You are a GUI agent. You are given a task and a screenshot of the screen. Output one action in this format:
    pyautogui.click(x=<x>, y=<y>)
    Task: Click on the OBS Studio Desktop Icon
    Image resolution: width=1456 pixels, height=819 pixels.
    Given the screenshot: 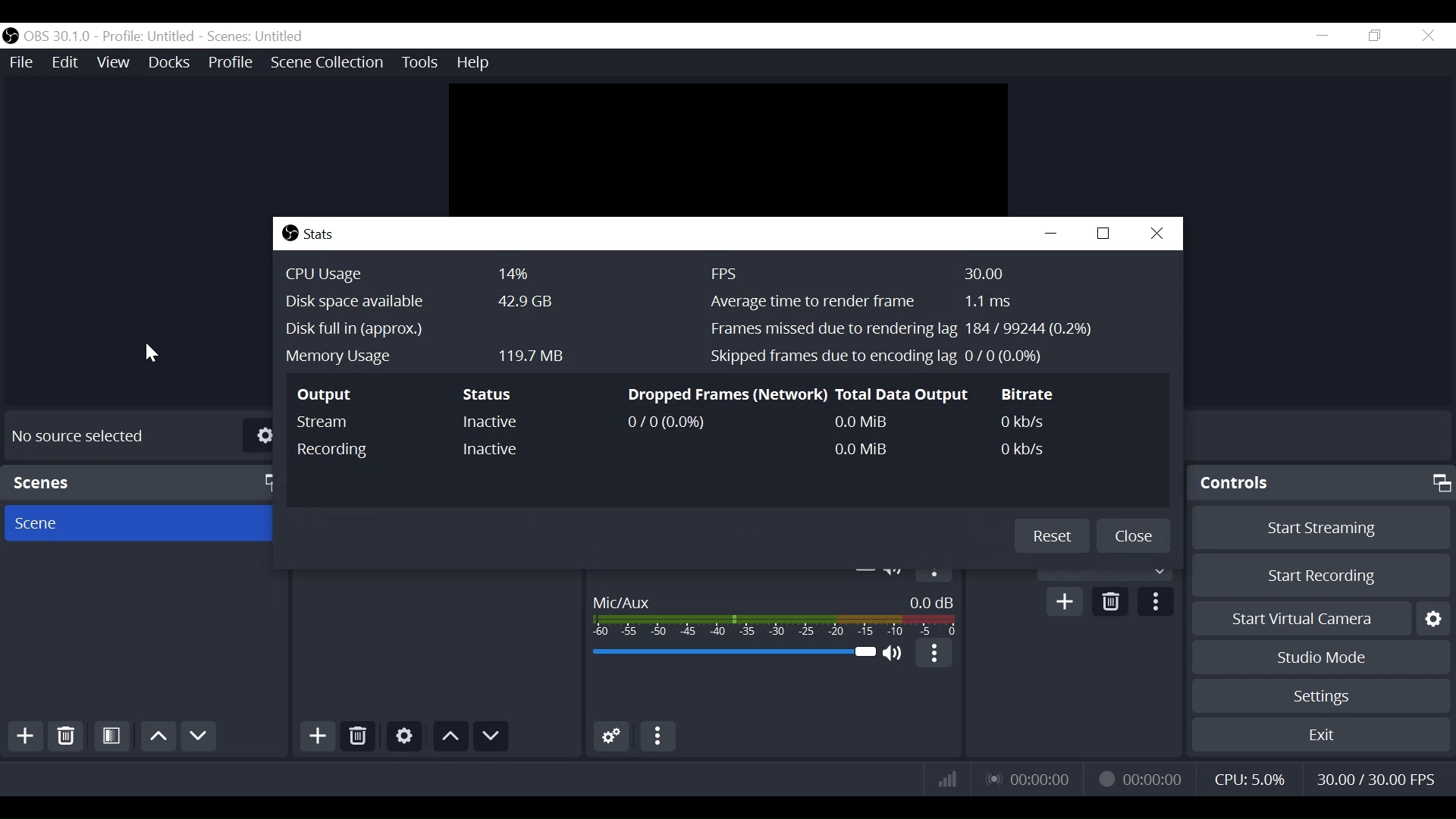 What is the action you would take?
    pyautogui.click(x=12, y=36)
    